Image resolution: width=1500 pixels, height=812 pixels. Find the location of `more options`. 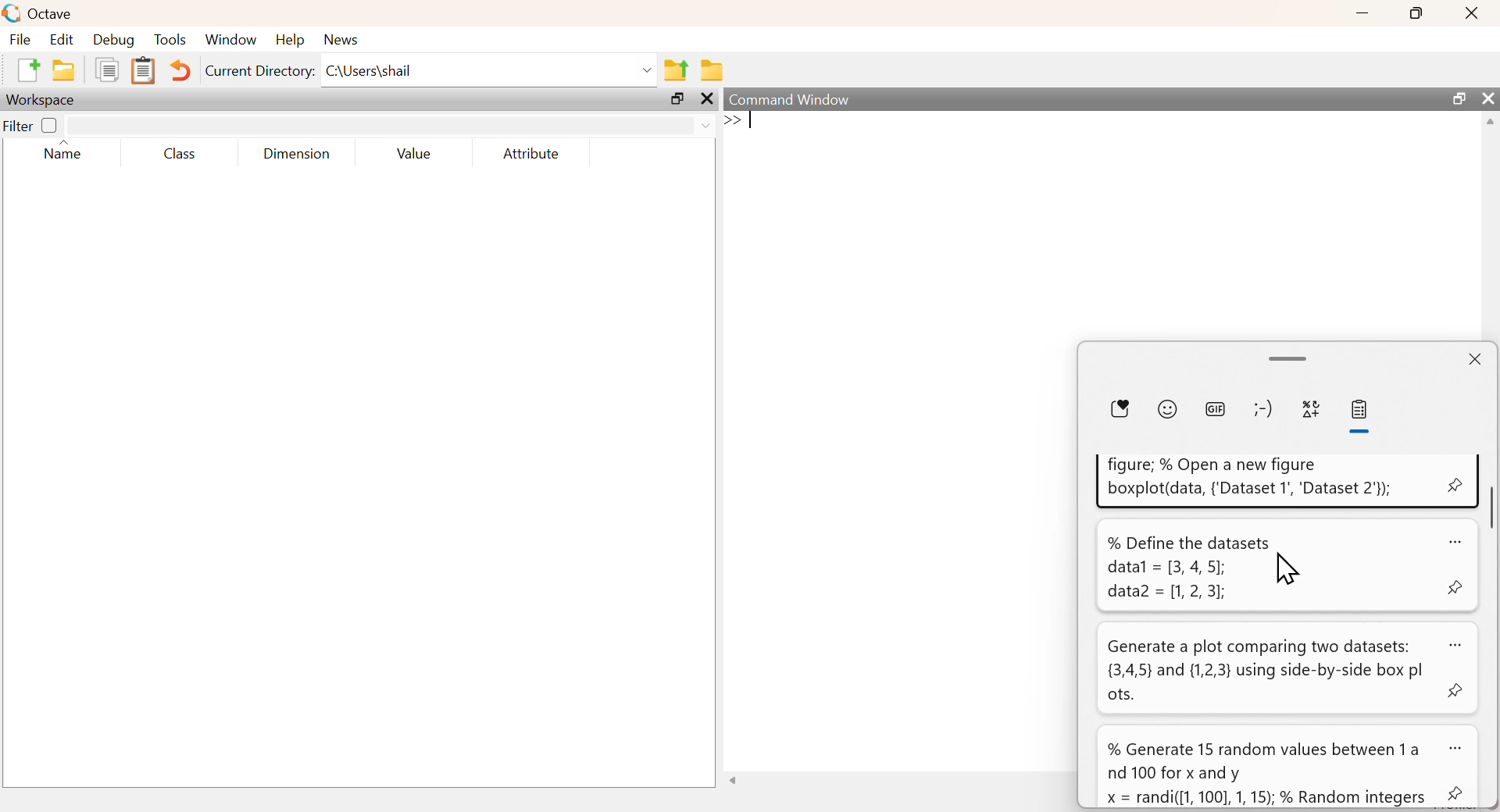

more options is located at coordinates (1453, 540).